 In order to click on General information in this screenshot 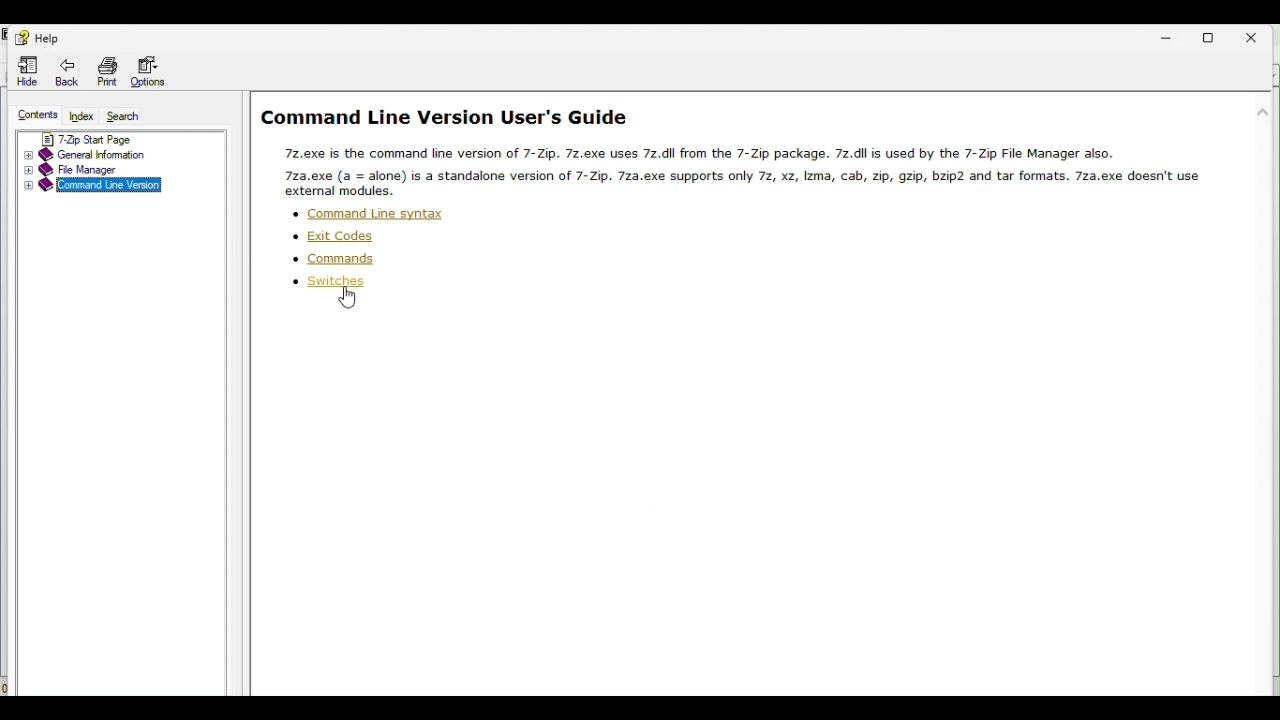, I will do `click(127, 154)`.